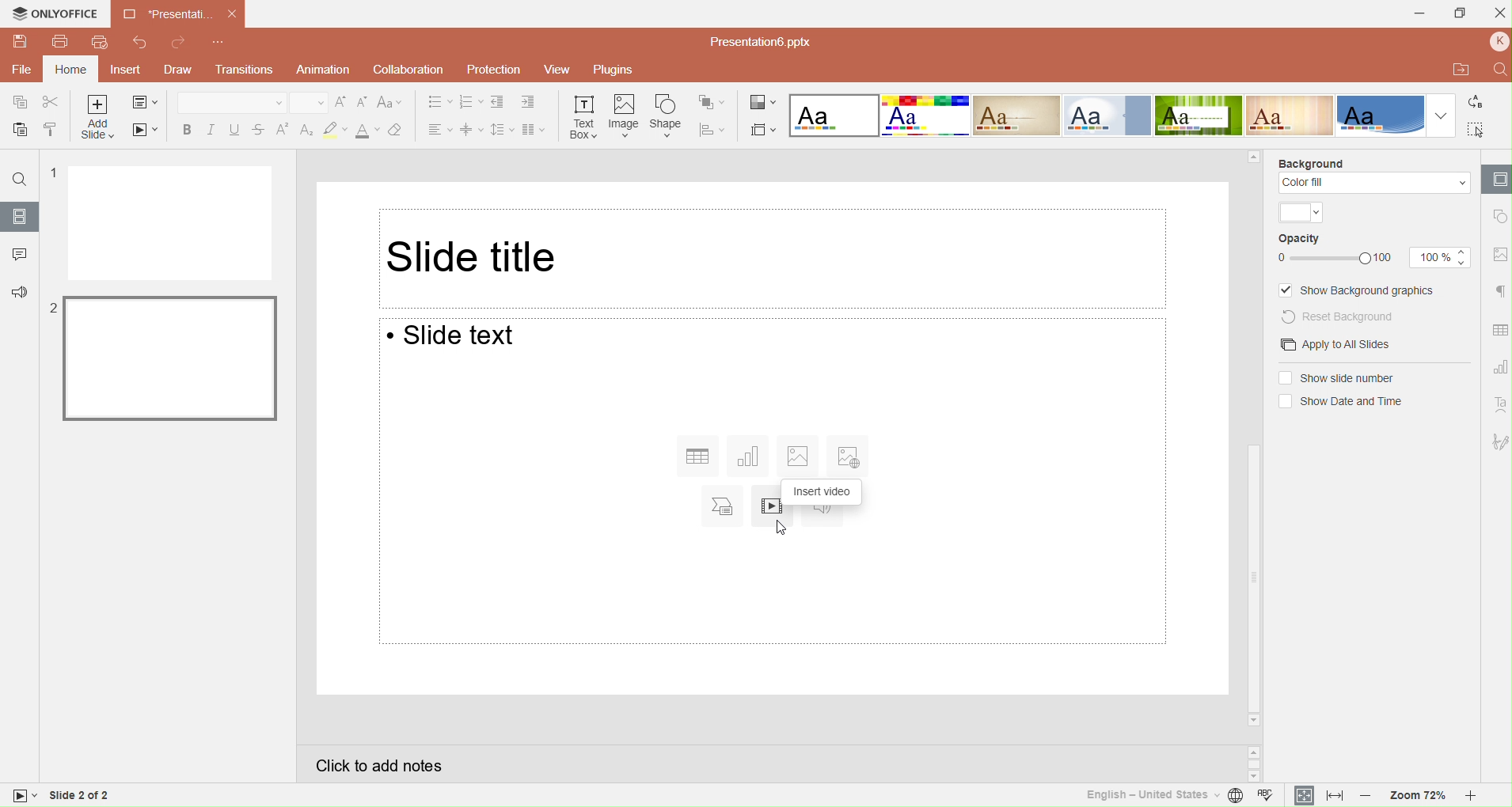 The height and width of the screenshot is (807, 1512). I want to click on Clear style, so click(399, 129).